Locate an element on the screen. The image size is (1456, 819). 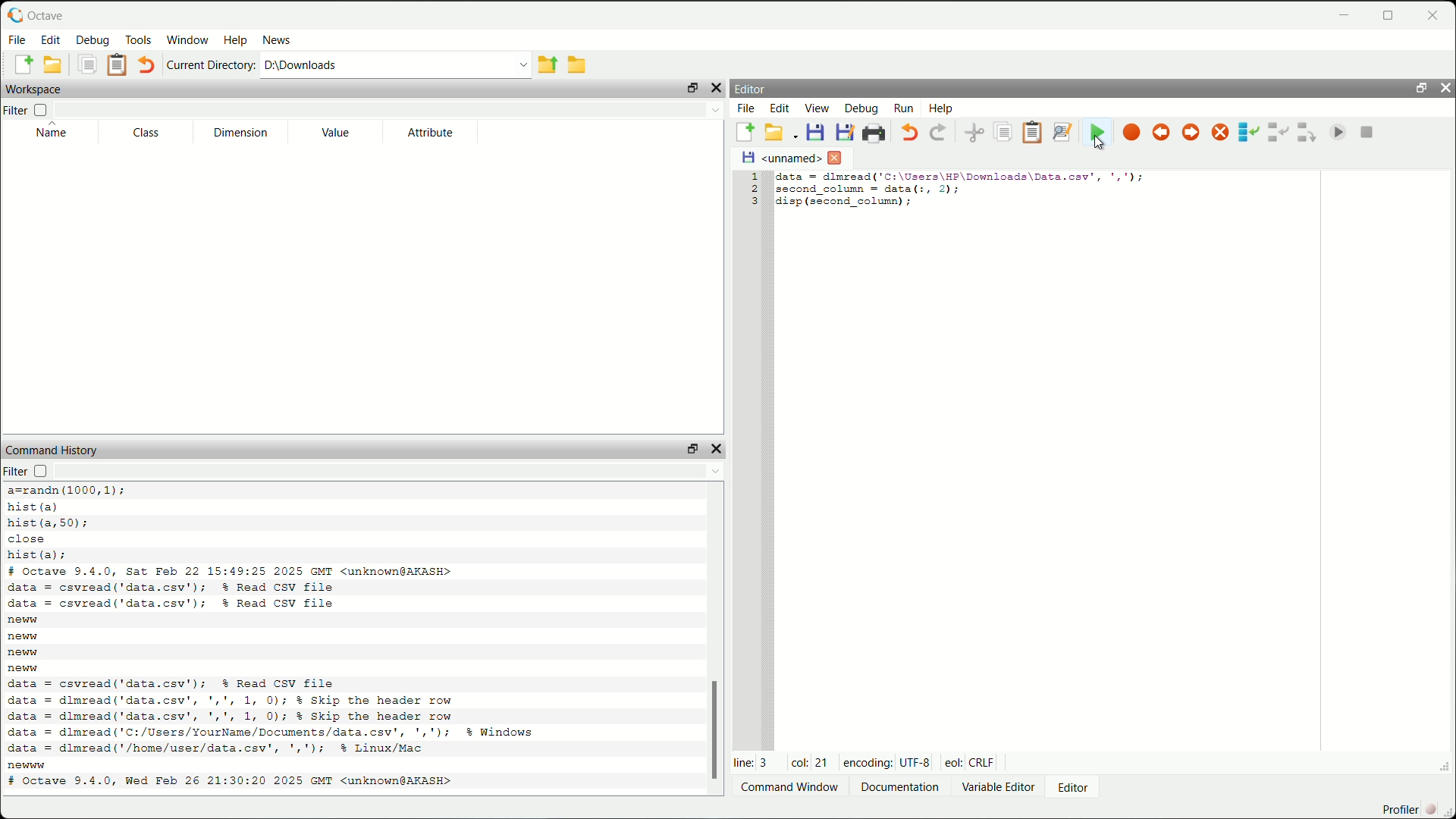
save file is located at coordinates (817, 135).